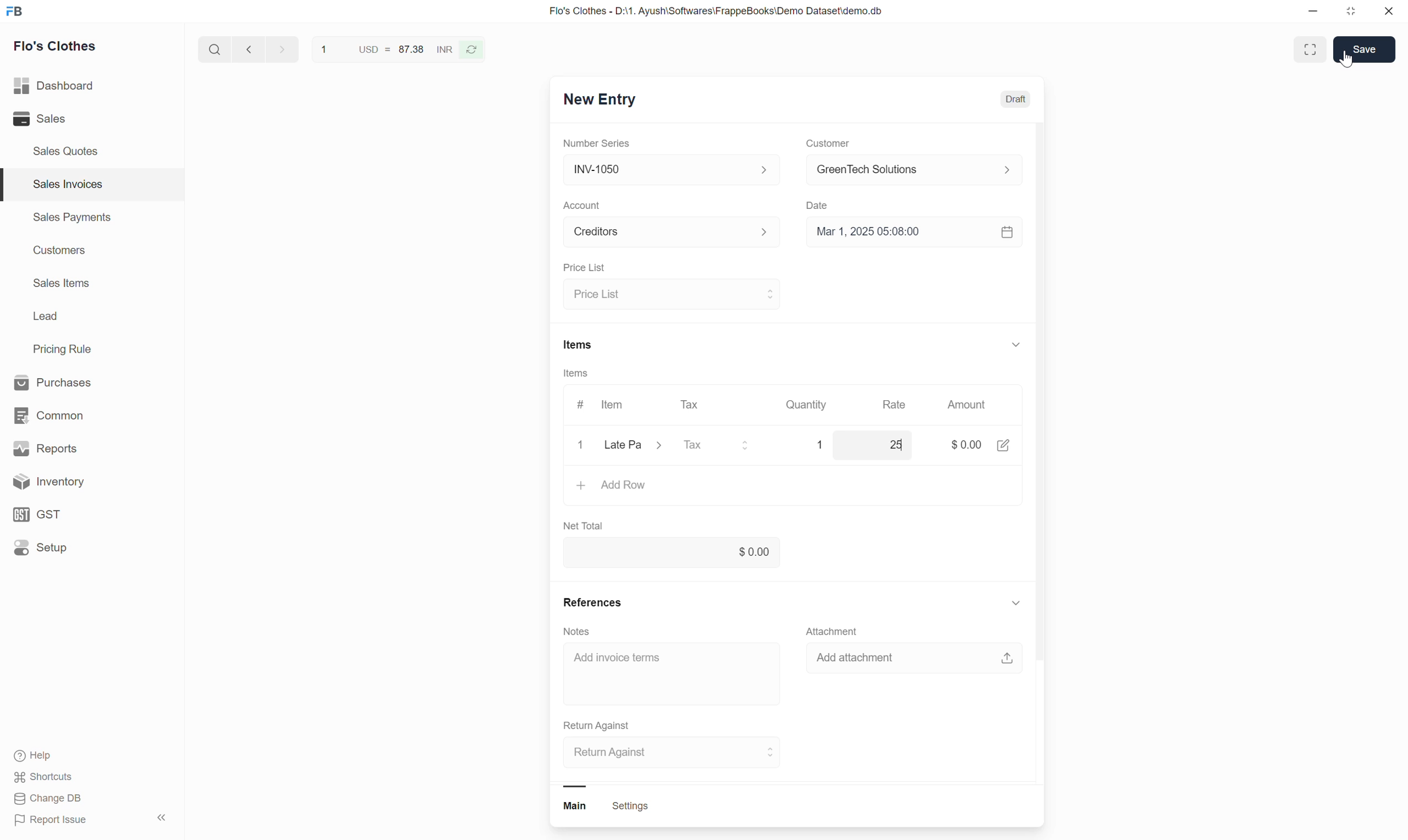  What do you see at coordinates (821, 444) in the screenshot?
I see `Quantity` at bounding box center [821, 444].